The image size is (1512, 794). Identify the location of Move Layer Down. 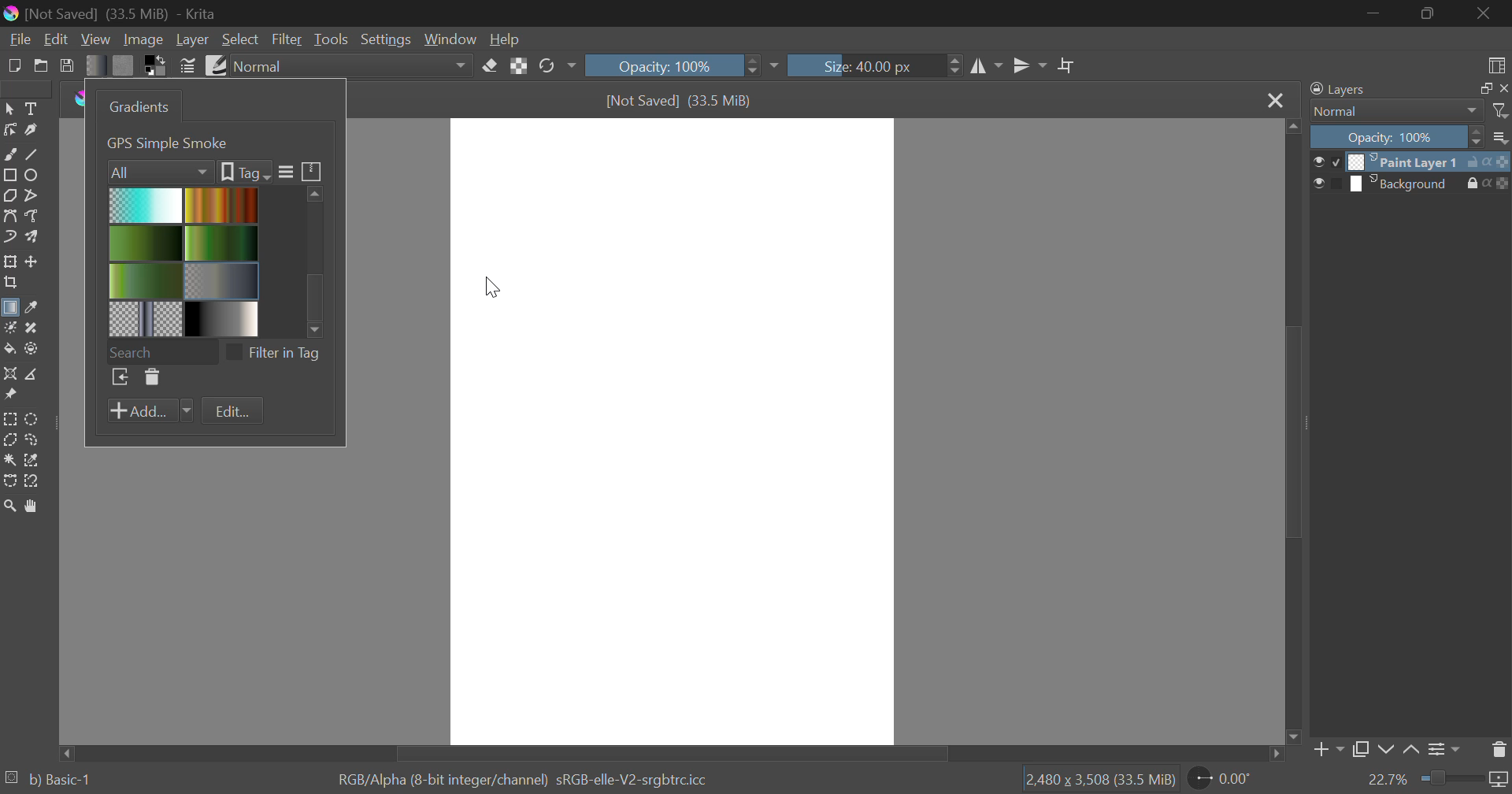
(1386, 751).